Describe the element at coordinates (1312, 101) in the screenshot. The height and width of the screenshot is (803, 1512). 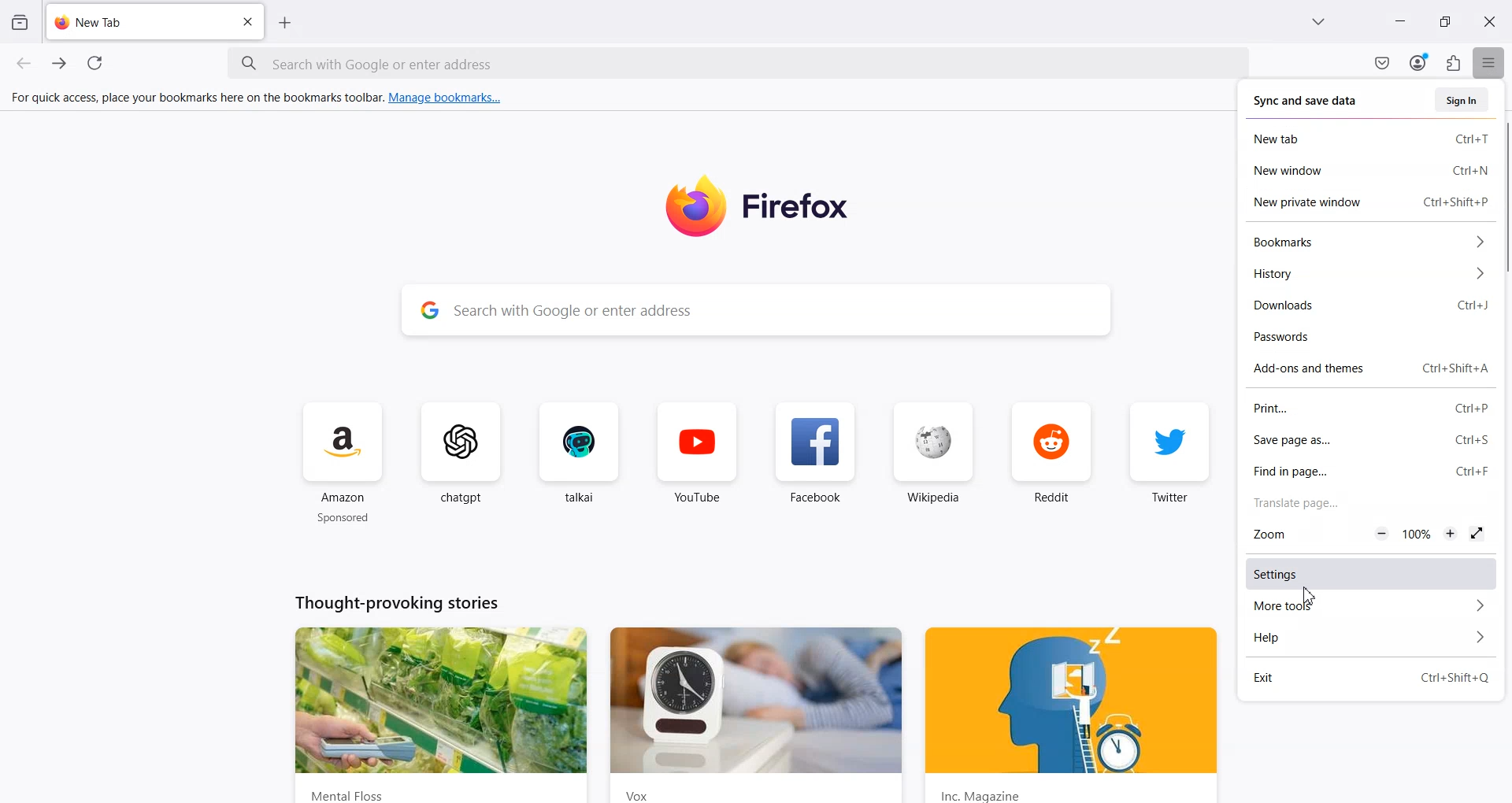
I see `Sync and save data` at that location.